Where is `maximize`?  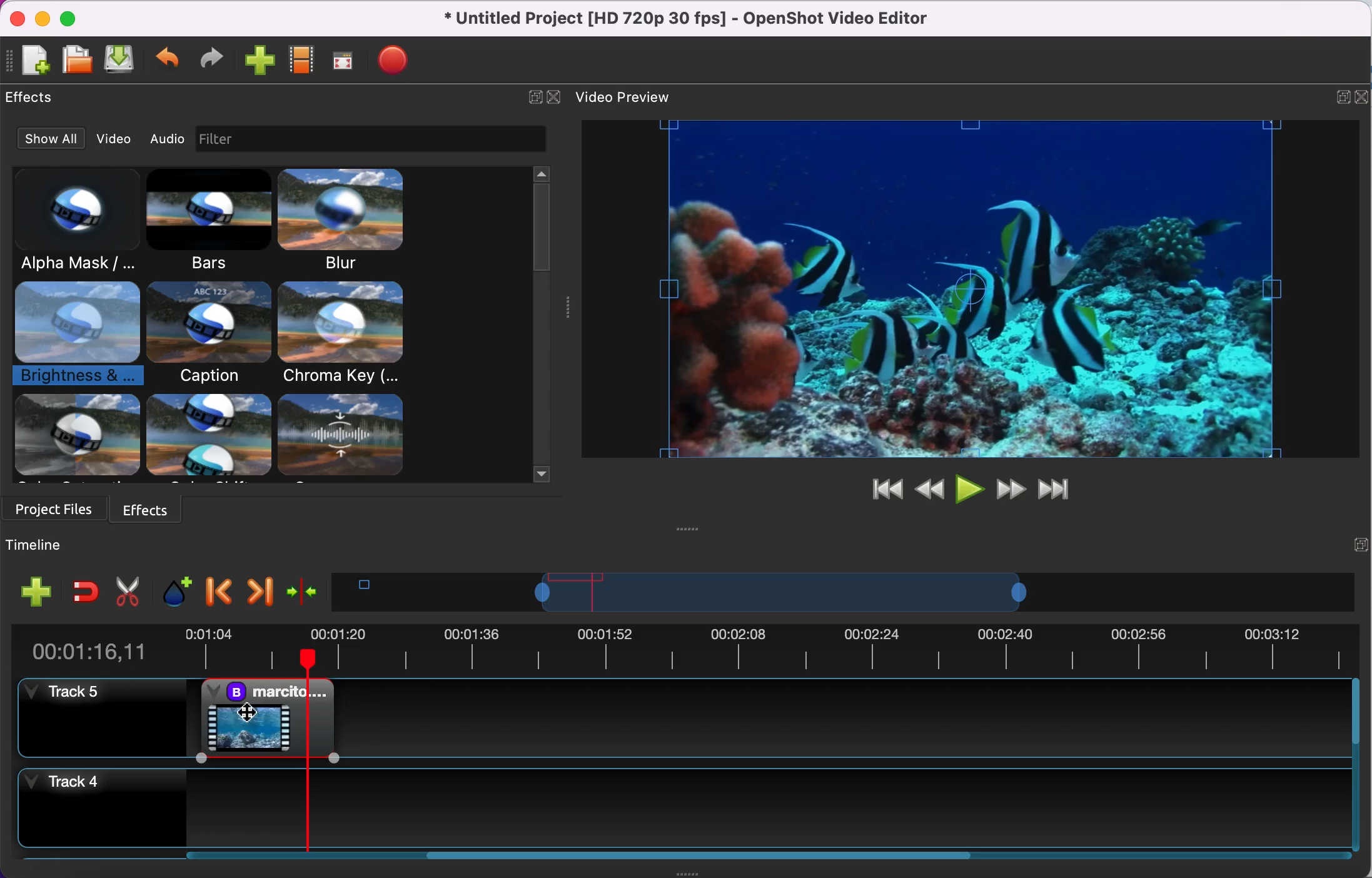
maximize is located at coordinates (71, 16).